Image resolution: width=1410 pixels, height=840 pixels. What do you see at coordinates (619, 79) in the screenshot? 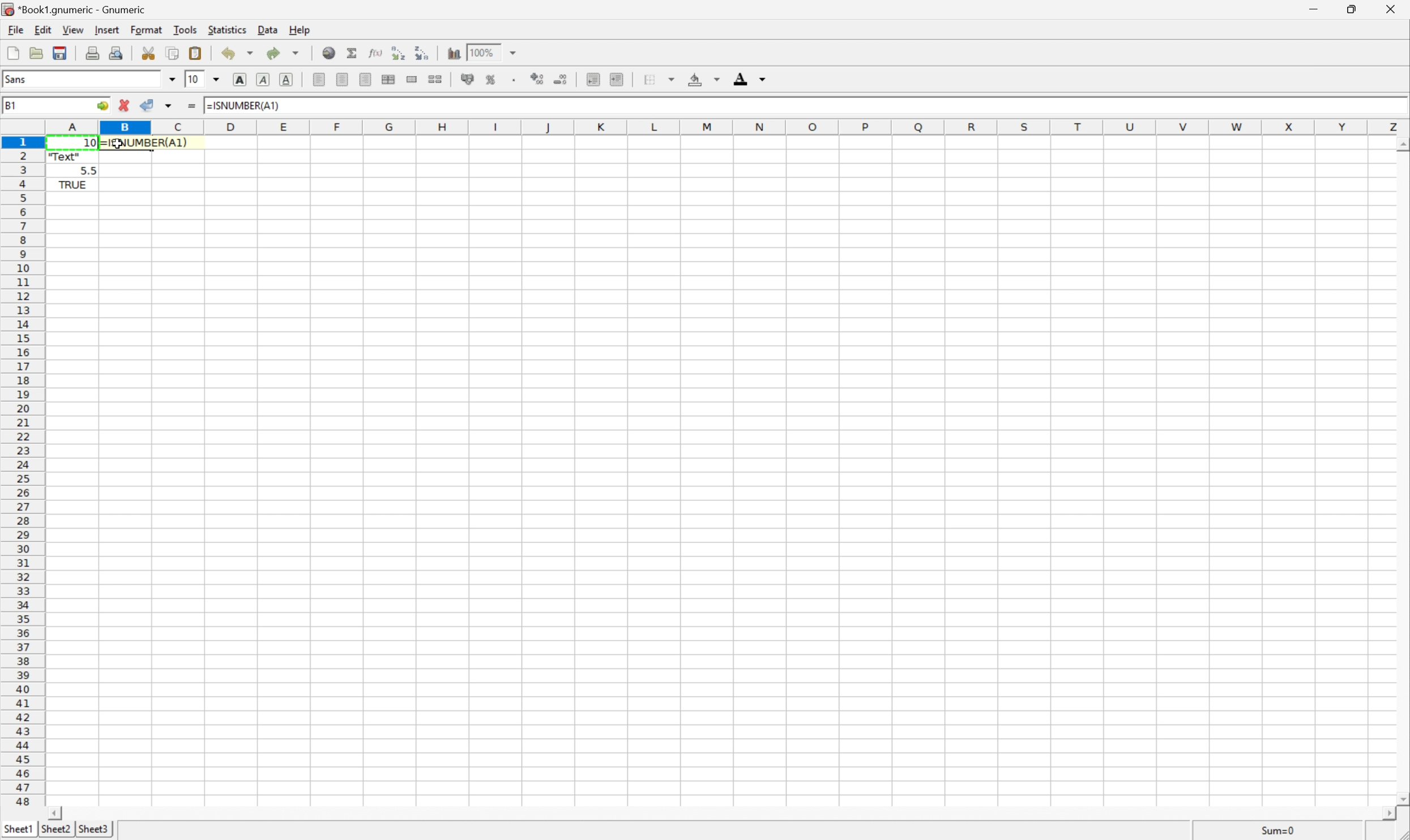
I see `Increase indent, and align the contents to the left` at bounding box center [619, 79].